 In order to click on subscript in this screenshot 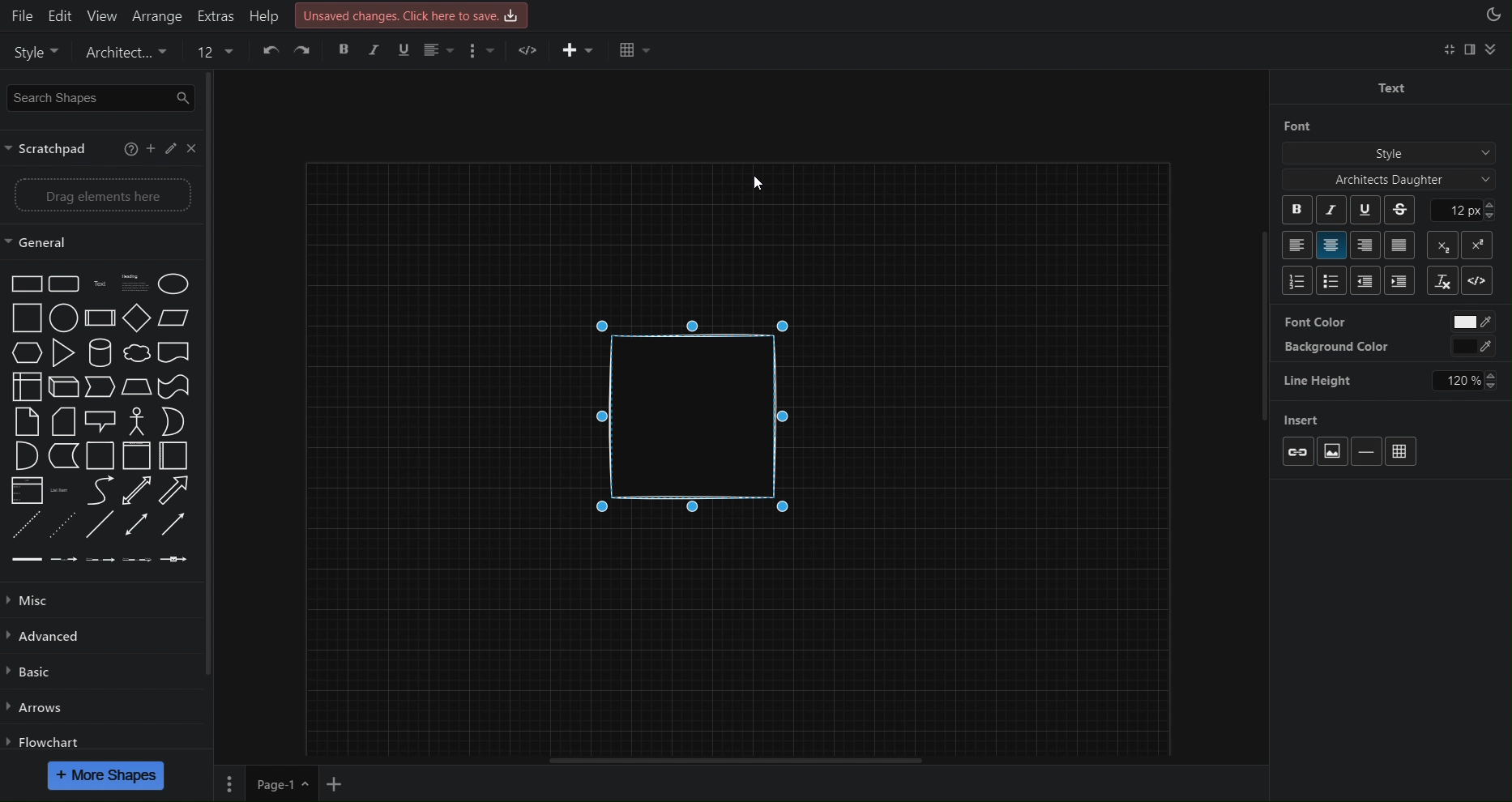, I will do `click(1447, 245)`.